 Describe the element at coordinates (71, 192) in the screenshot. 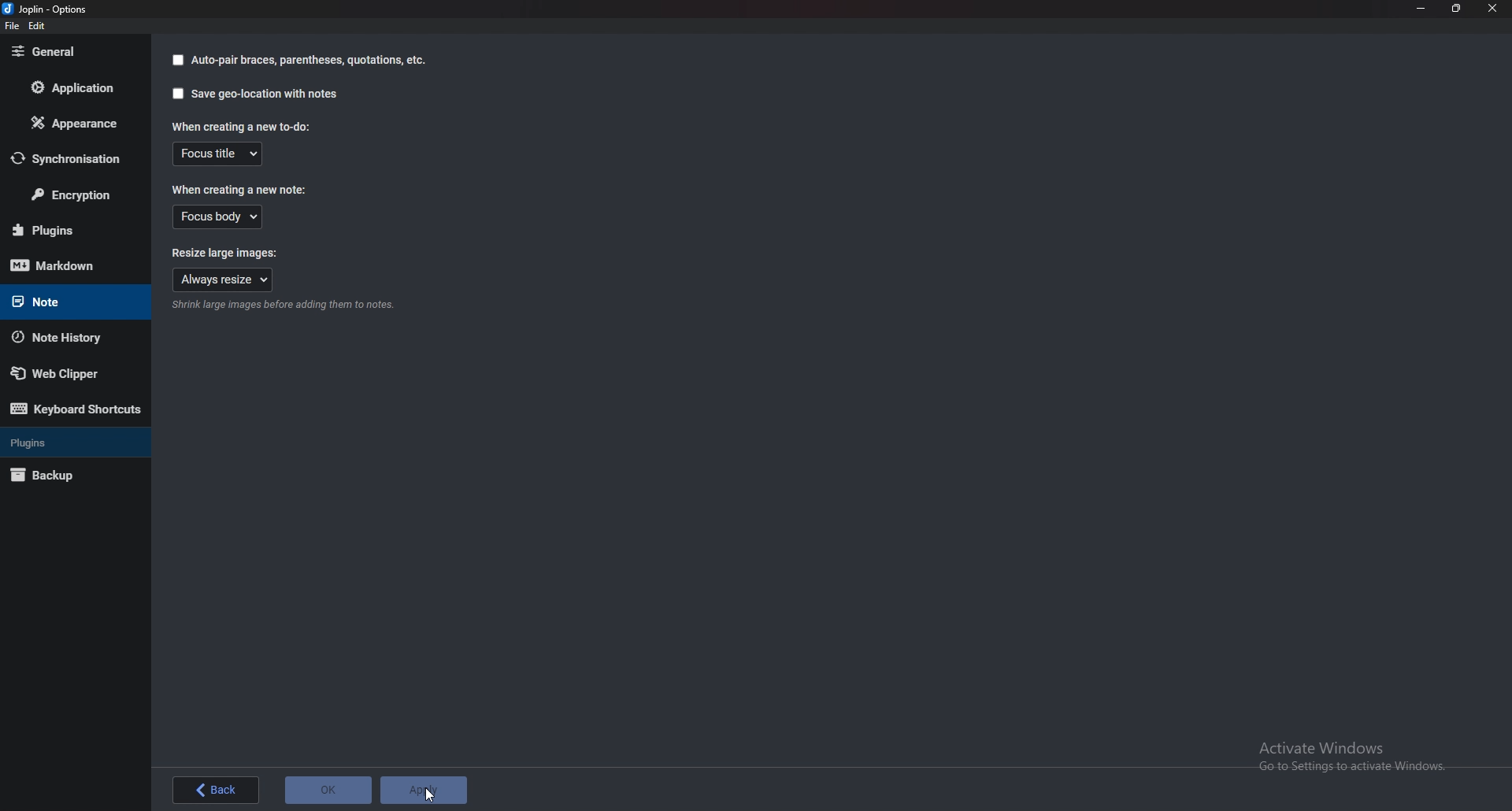

I see `encryption` at that location.